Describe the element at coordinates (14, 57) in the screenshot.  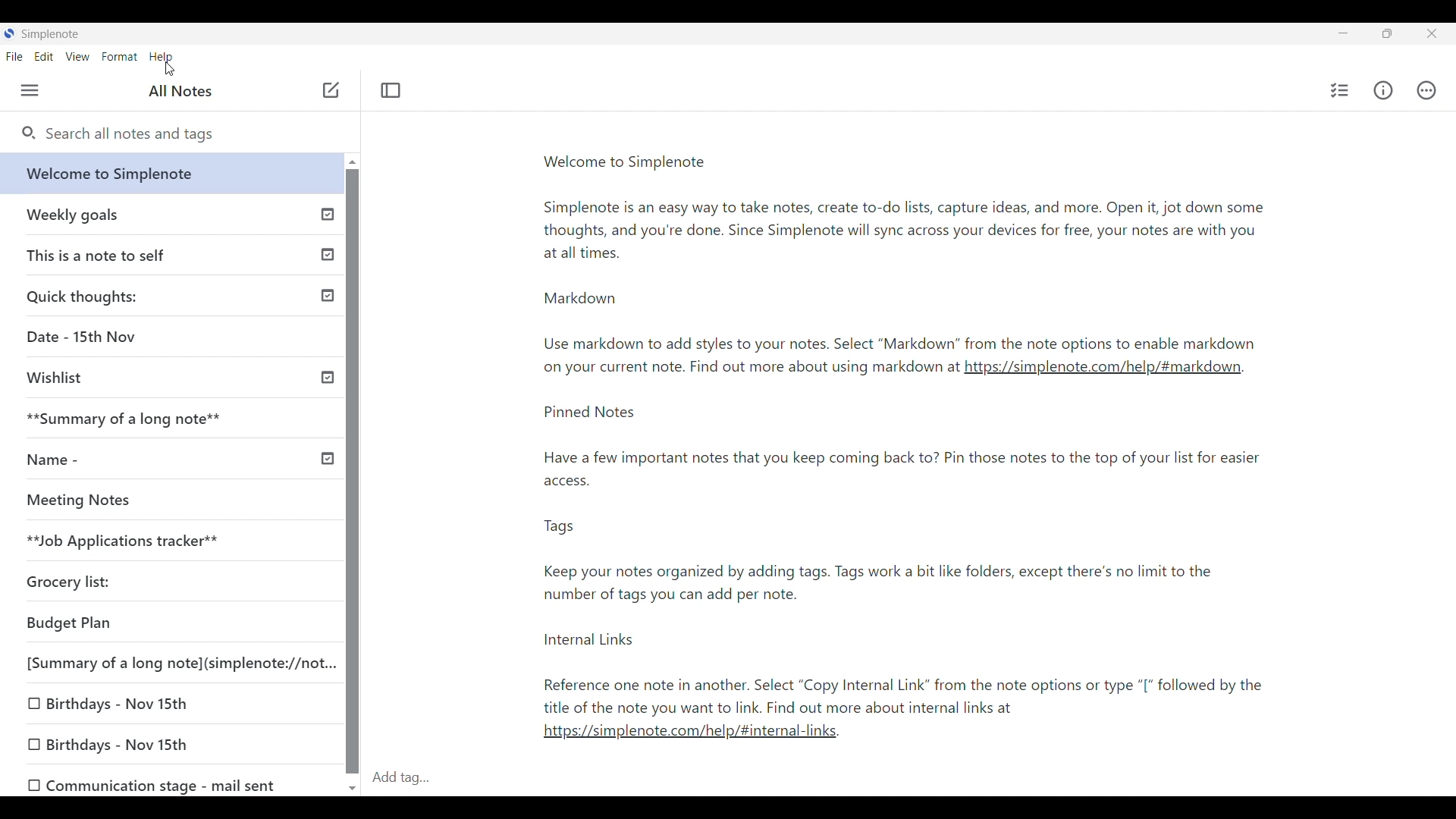
I see `File menu` at that location.